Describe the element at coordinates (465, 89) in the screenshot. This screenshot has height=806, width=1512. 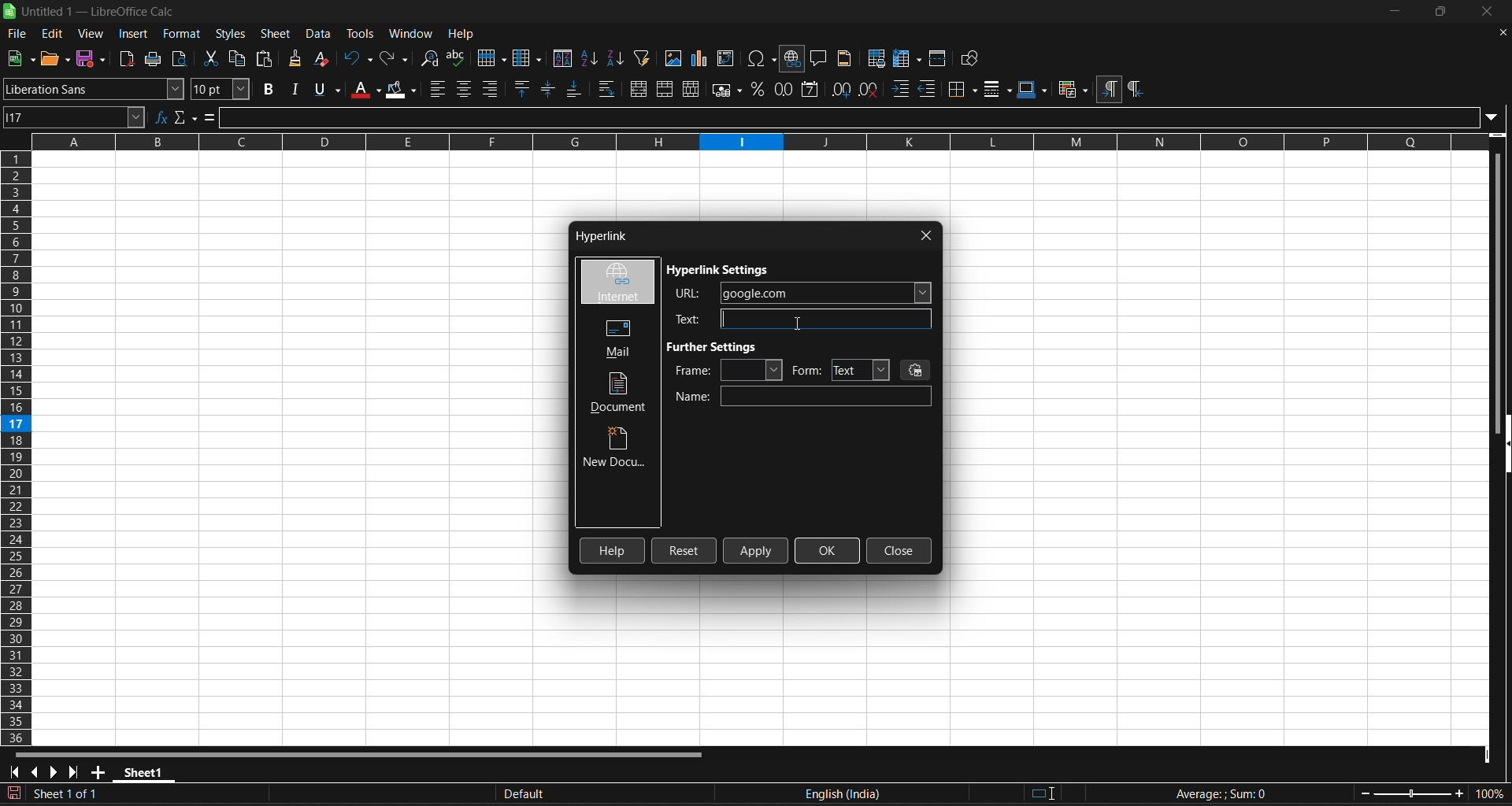
I see `align center` at that location.